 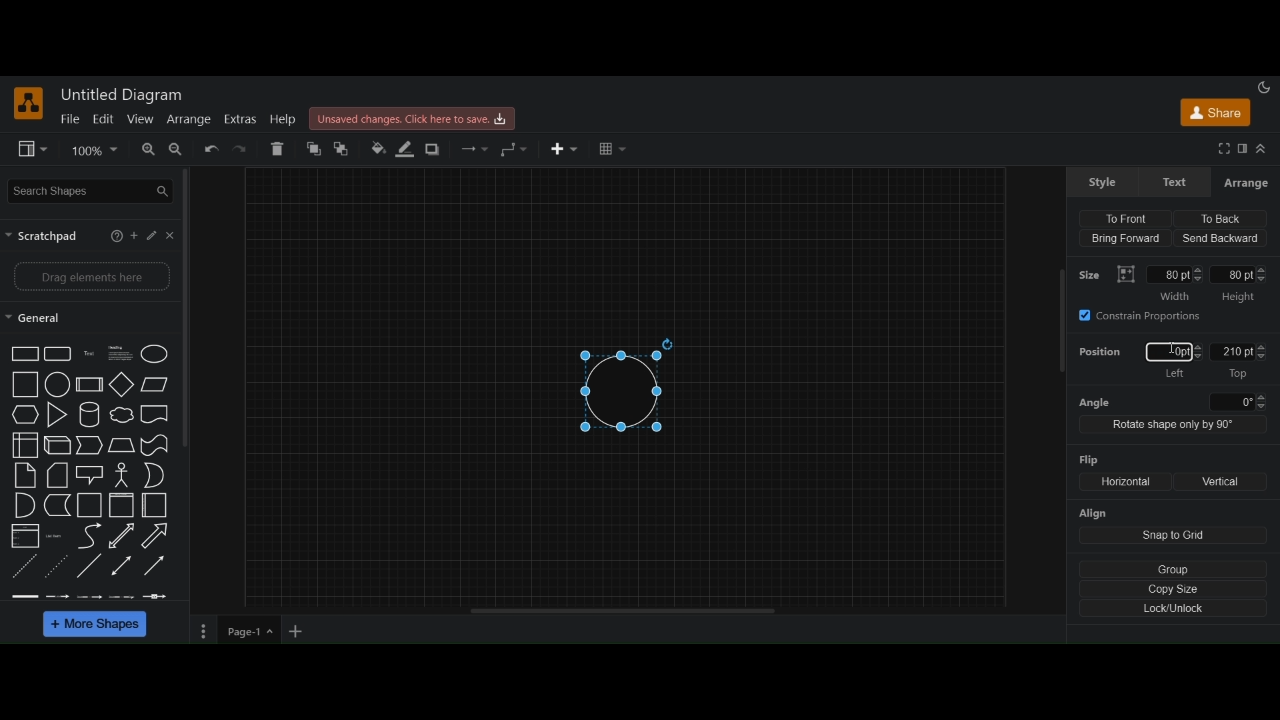 What do you see at coordinates (1123, 481) in the screenshot?
I see `horizontal` at bounding box center [1123, 481].